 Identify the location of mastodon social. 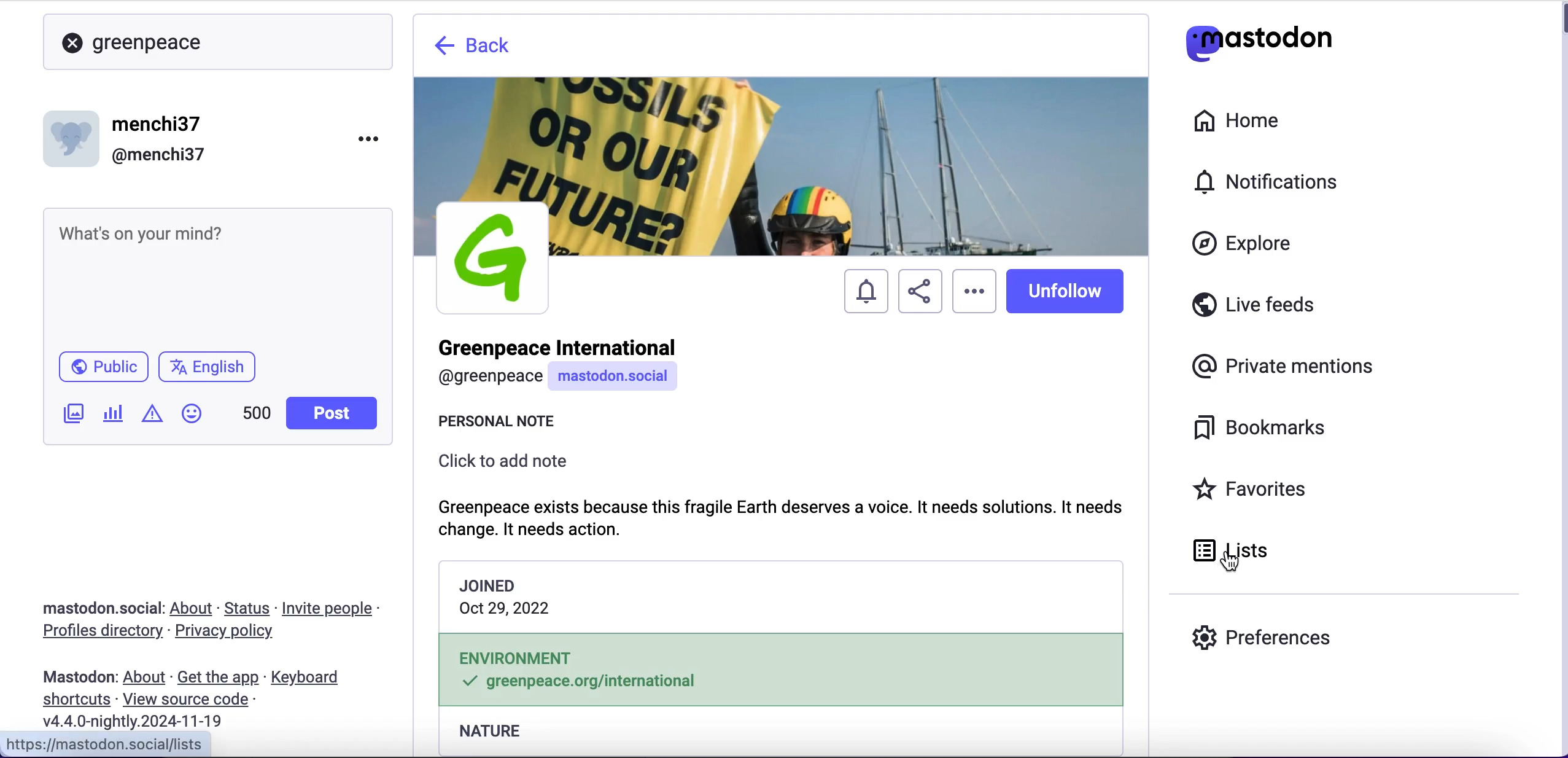
(86, 609).